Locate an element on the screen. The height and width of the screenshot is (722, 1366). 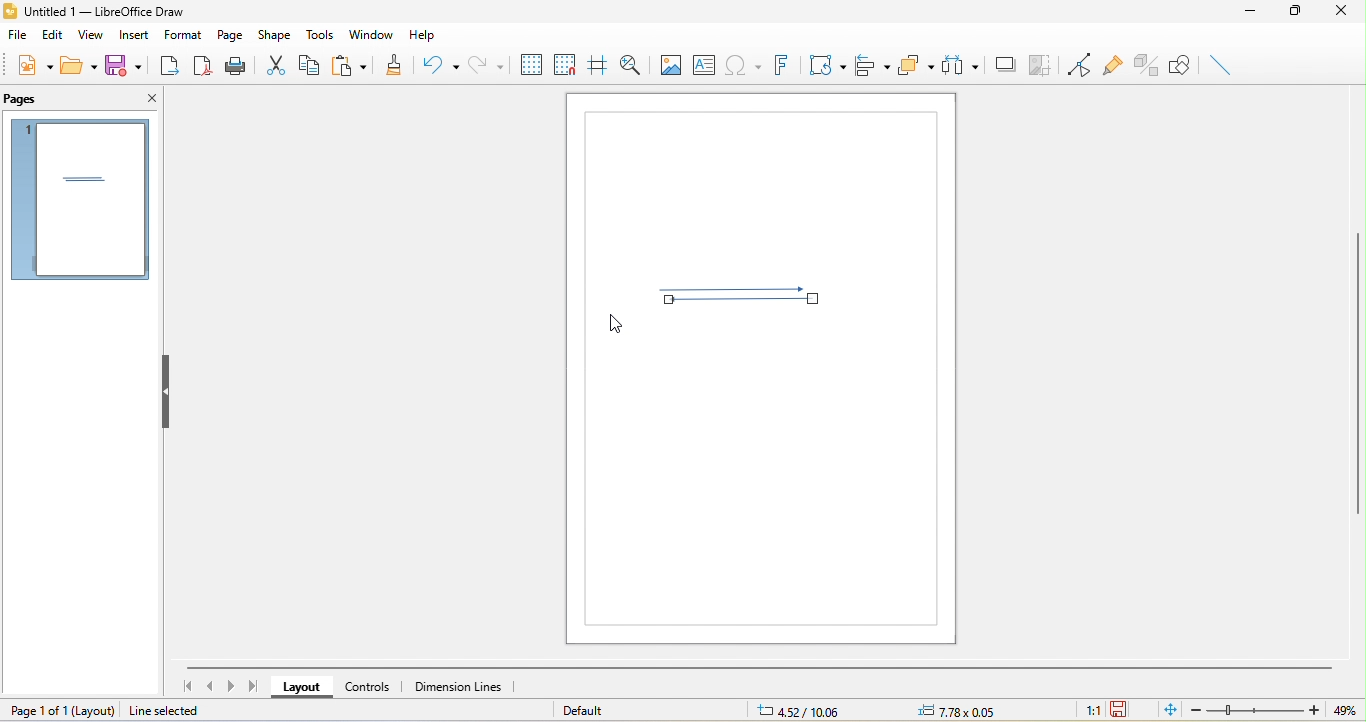
paste is located at coordinates (355, 64).